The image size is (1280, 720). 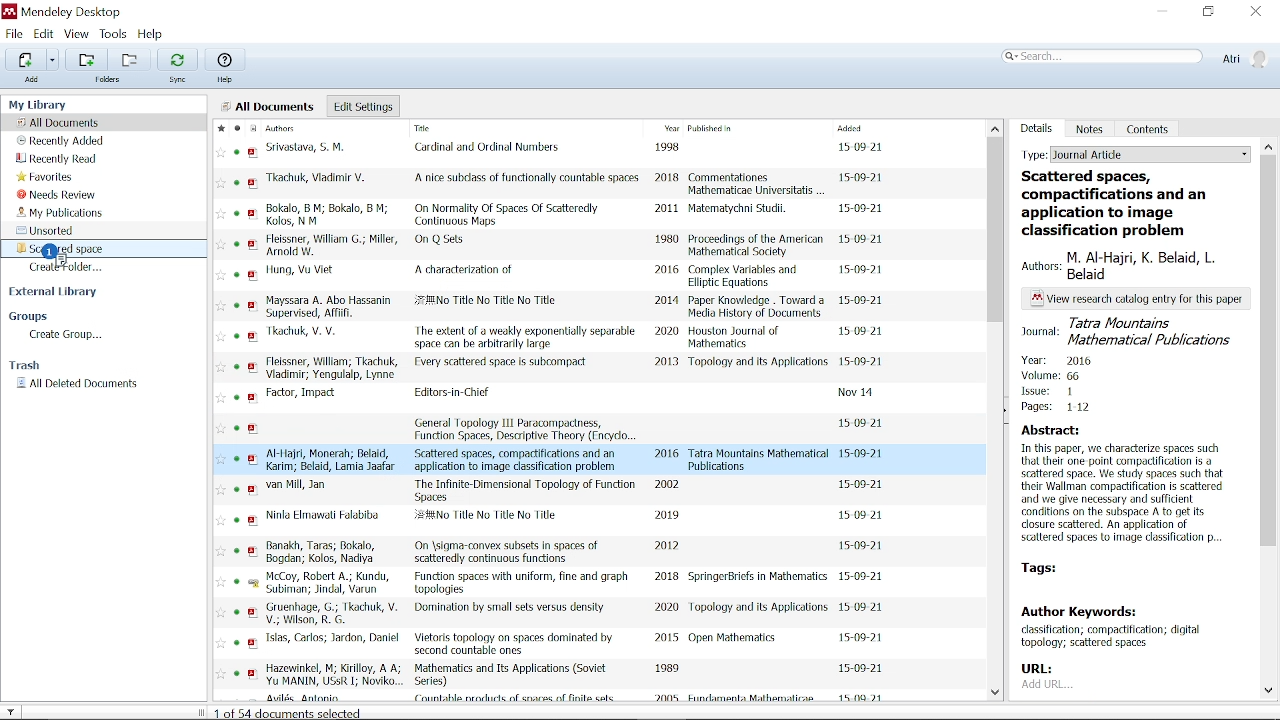 I want to click on Trash, so click(x=30, y=366).